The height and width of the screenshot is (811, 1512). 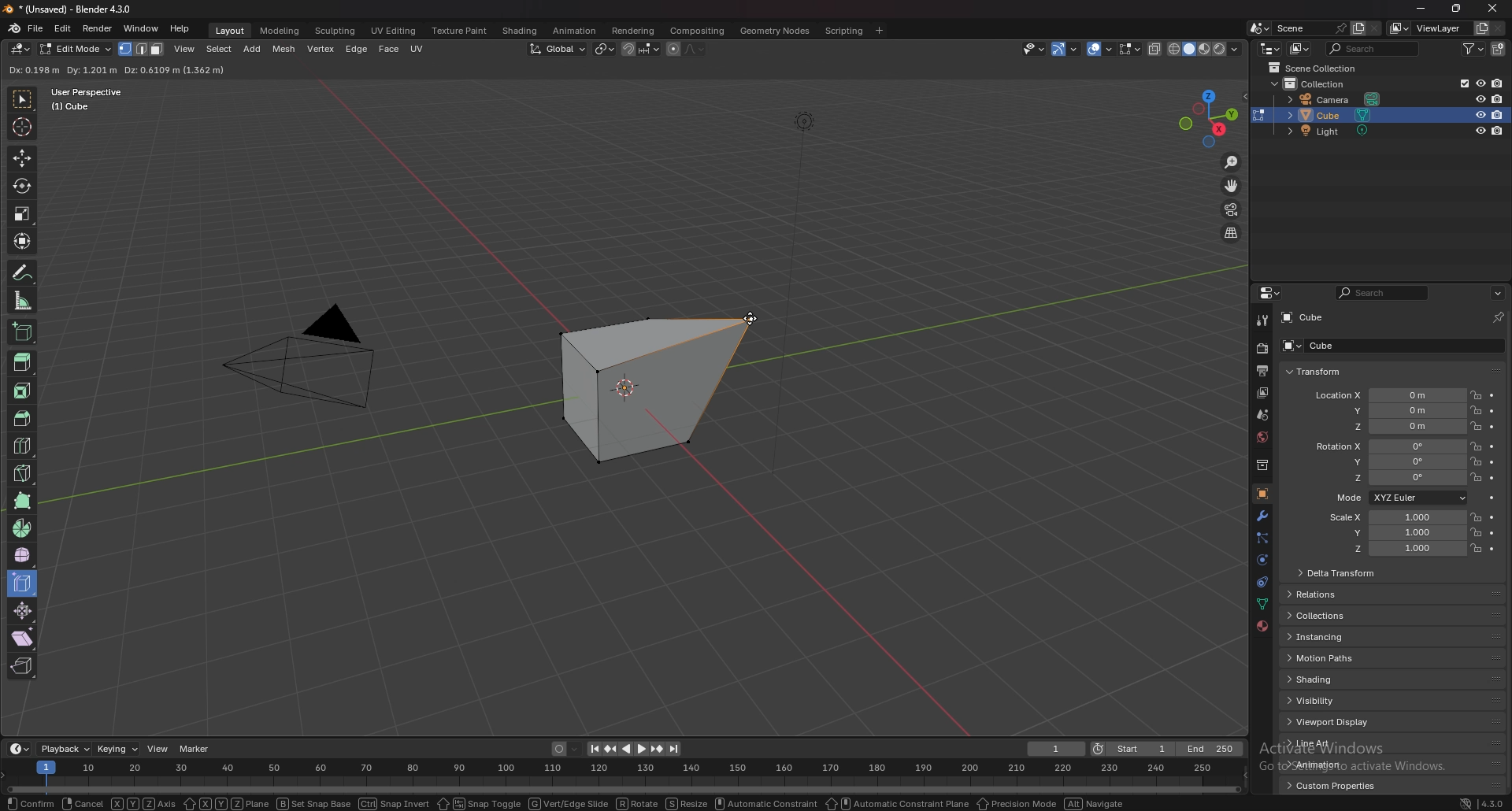 What do you see at coordinates (142, 50) in the screenshot?
I see `select mode` at bounding box center [142, 50].